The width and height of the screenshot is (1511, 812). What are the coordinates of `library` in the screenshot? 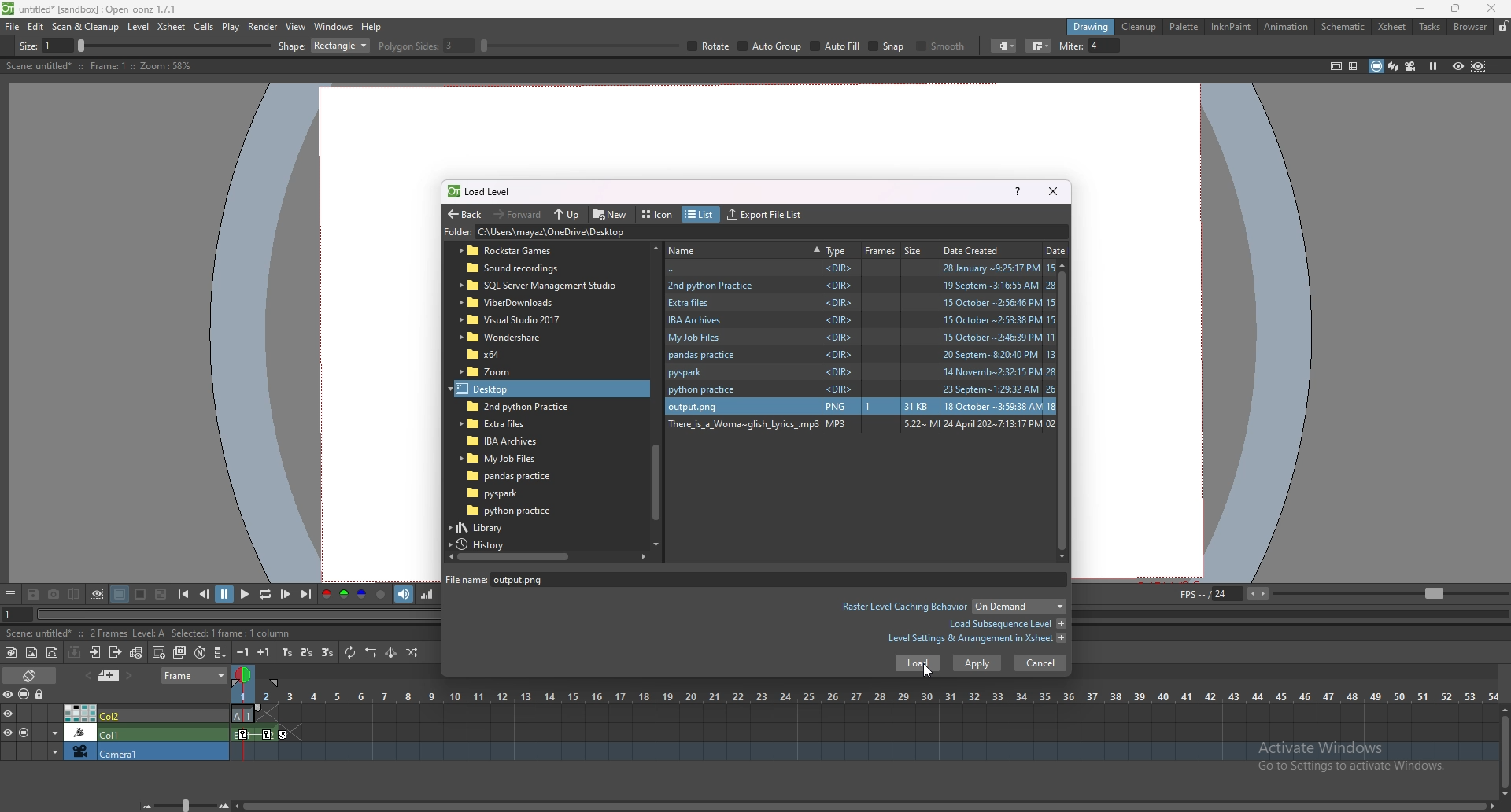 It's located at (495, 527).